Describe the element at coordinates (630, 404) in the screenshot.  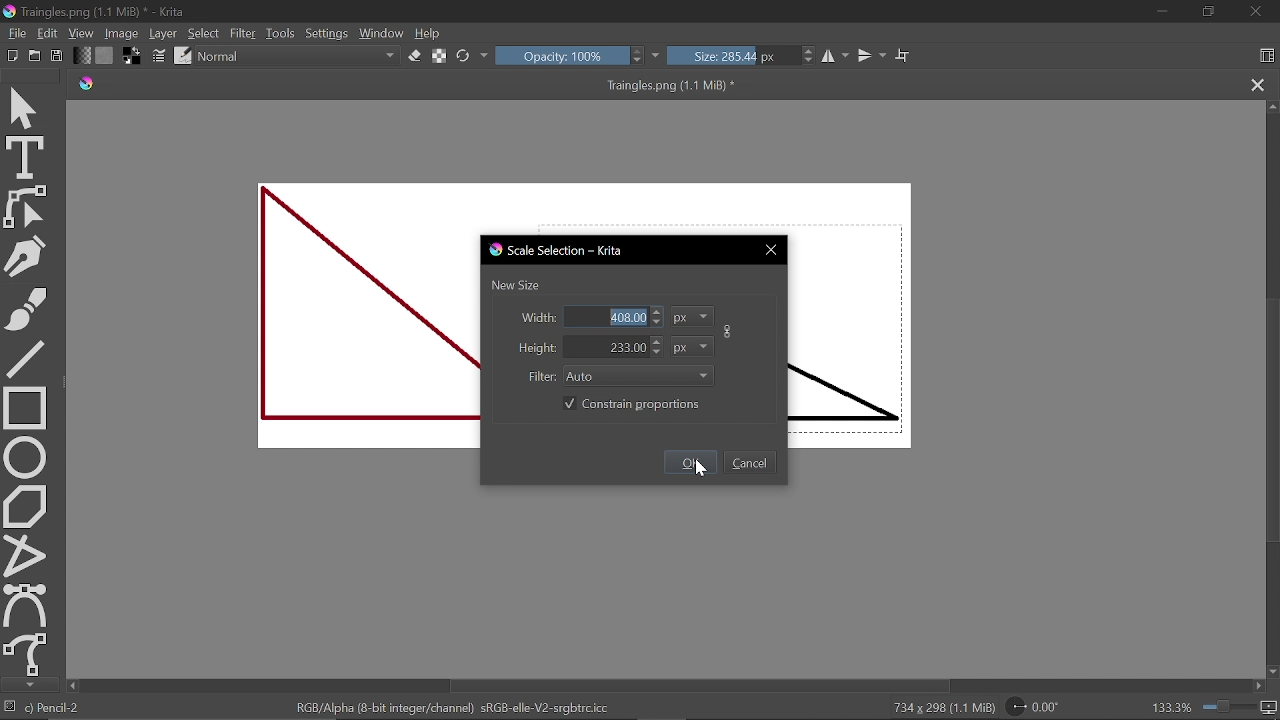
I see `Constrain proportions` at that location.